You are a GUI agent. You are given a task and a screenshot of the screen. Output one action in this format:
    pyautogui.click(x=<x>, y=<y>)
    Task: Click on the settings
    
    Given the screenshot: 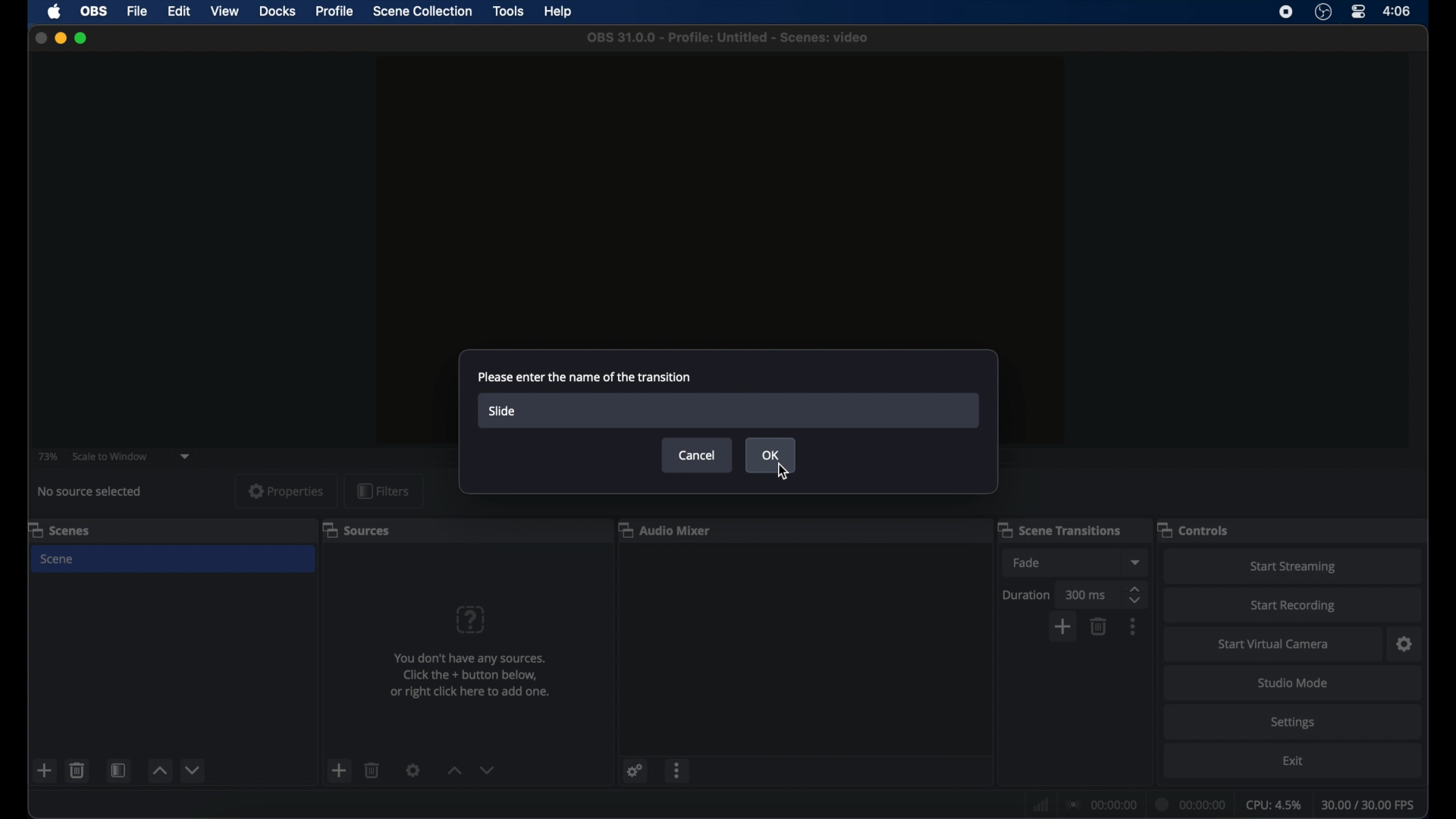 What is the action you would take?
    pyautogui.click(x=636, y=770)
    